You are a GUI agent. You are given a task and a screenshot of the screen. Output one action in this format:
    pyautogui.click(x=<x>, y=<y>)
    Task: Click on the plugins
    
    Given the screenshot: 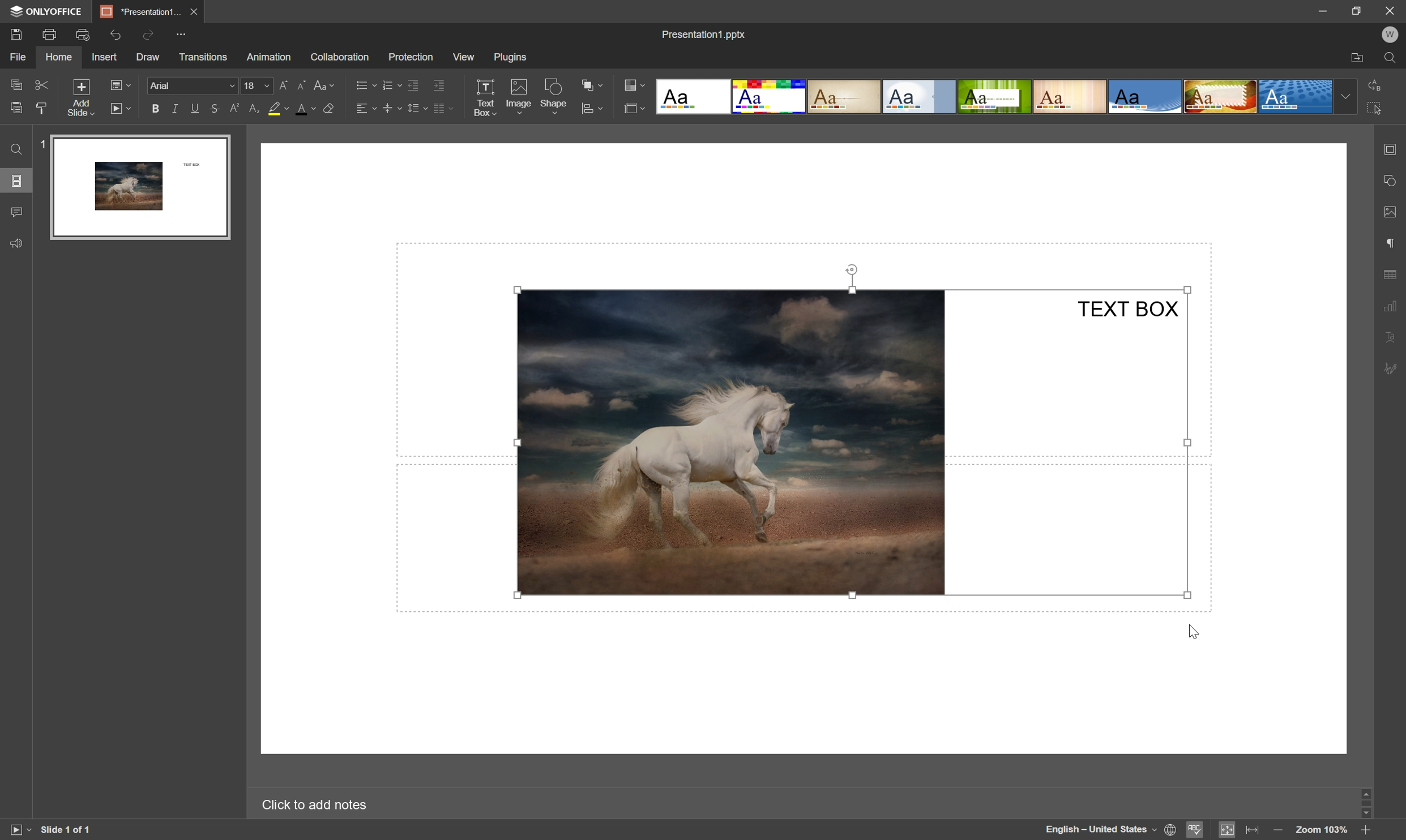 What is the action you would take?
    pyautogui.click(x=511, y=56)
    